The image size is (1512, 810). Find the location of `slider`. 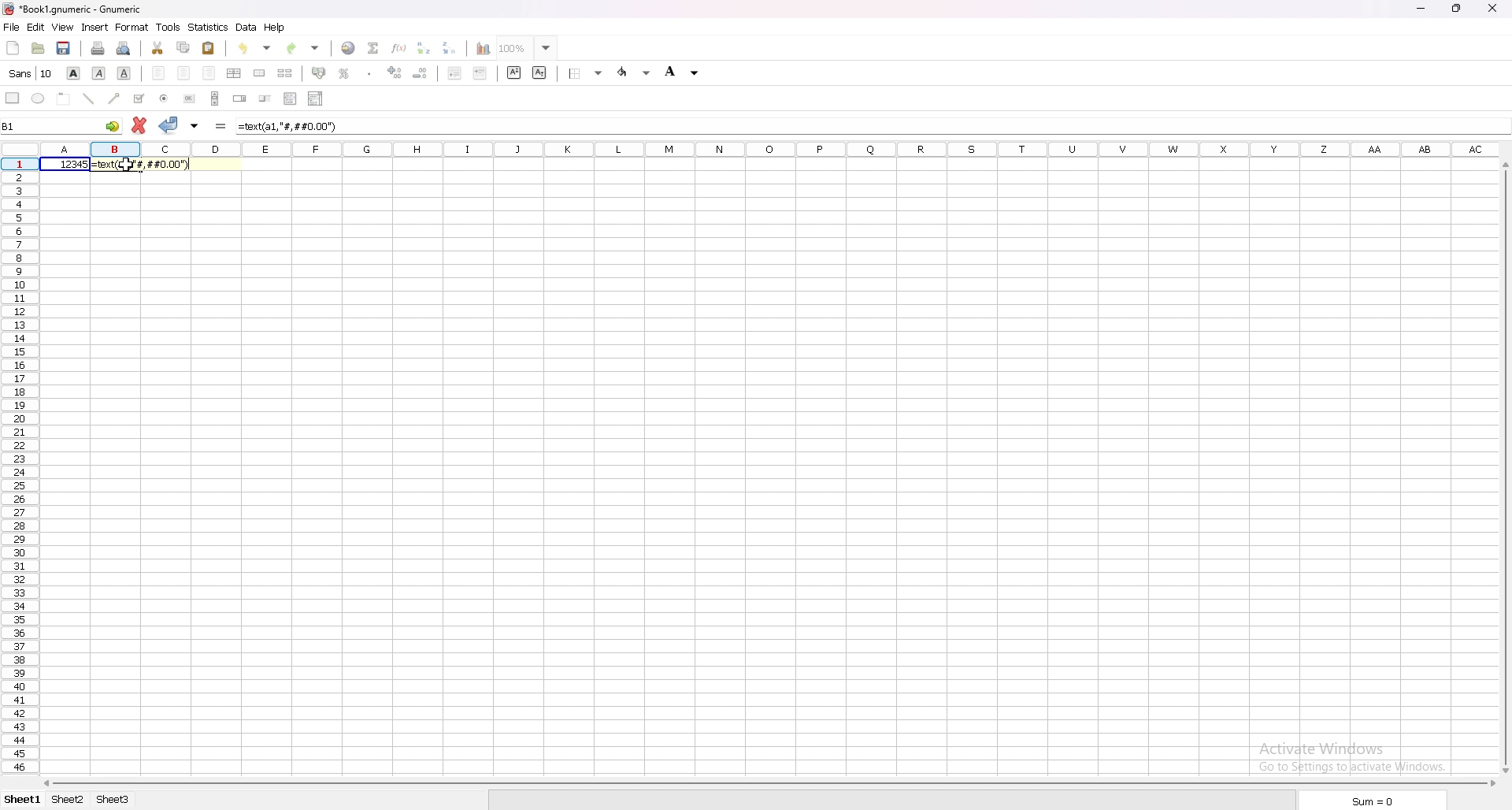

slider is located at coordinates (265, 98).